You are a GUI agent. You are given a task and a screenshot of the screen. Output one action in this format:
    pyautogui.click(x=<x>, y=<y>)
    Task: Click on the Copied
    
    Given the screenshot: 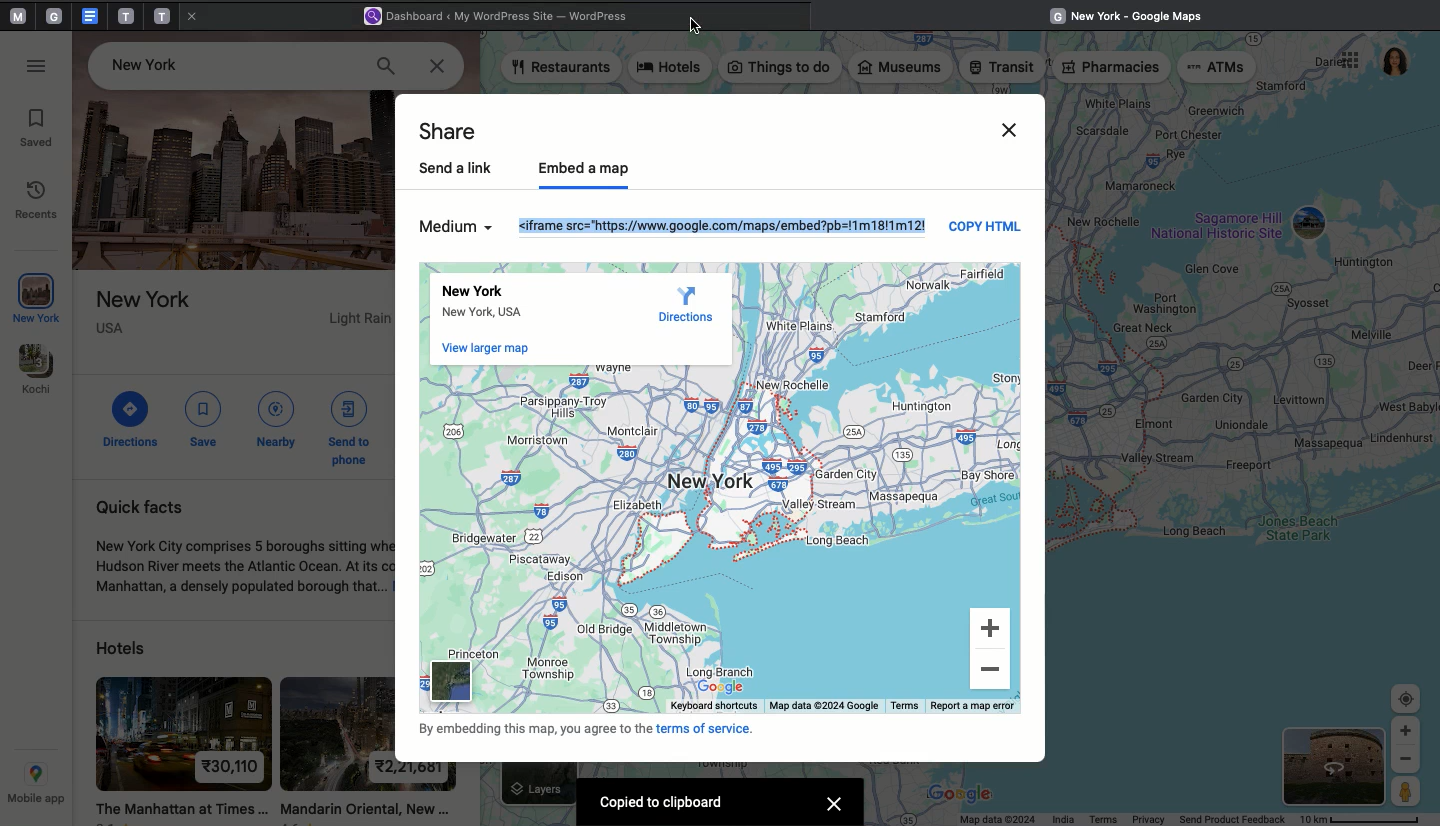 What is the action you would take?
    pyautogui.click(x=727, y=225)
    